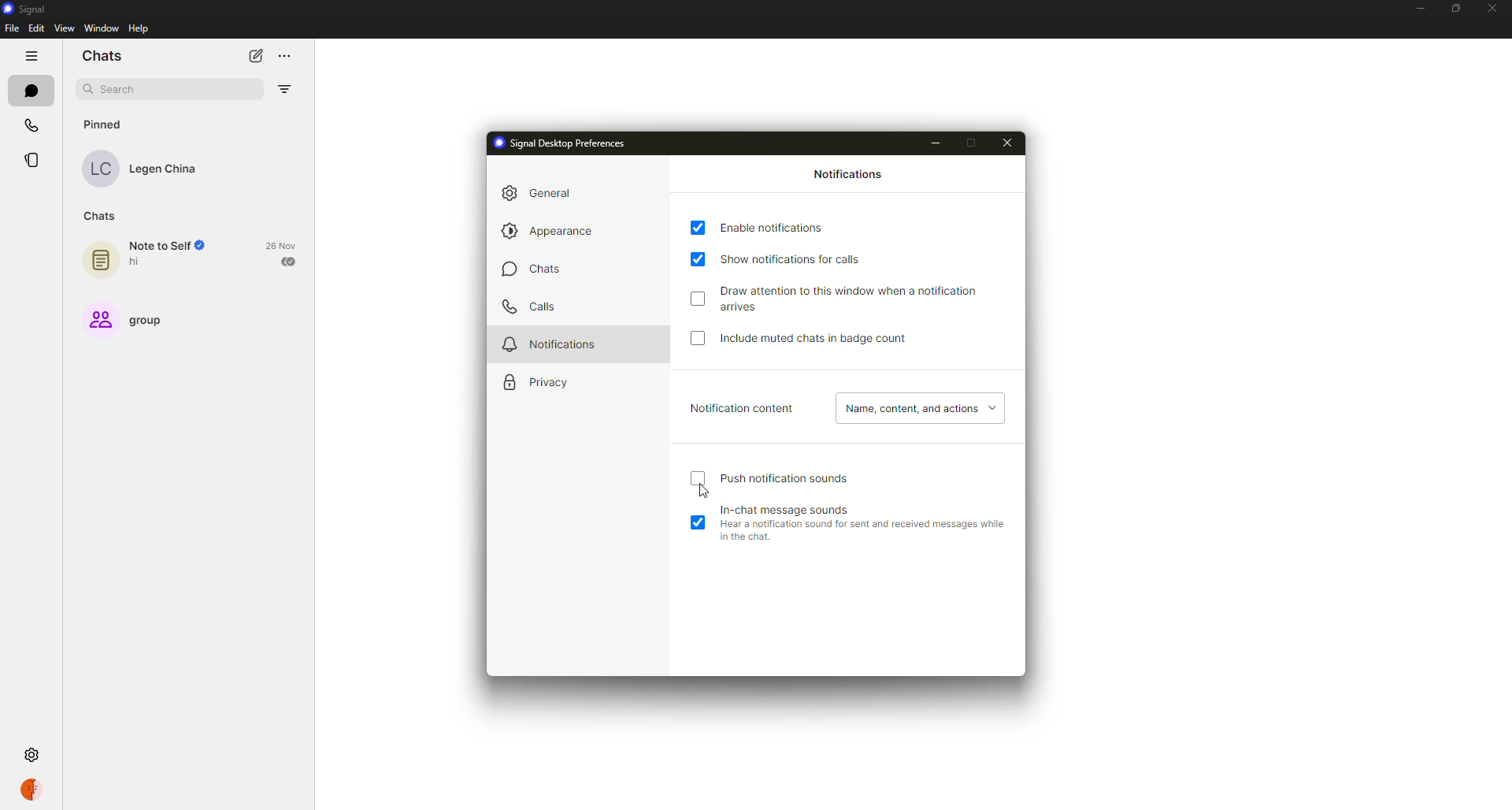 The width and height of the screenshot is (1512, 810). What do you see at coordinates (695, 226) in the screenshot?
I see `enabled` at bounding box center [695, 226].